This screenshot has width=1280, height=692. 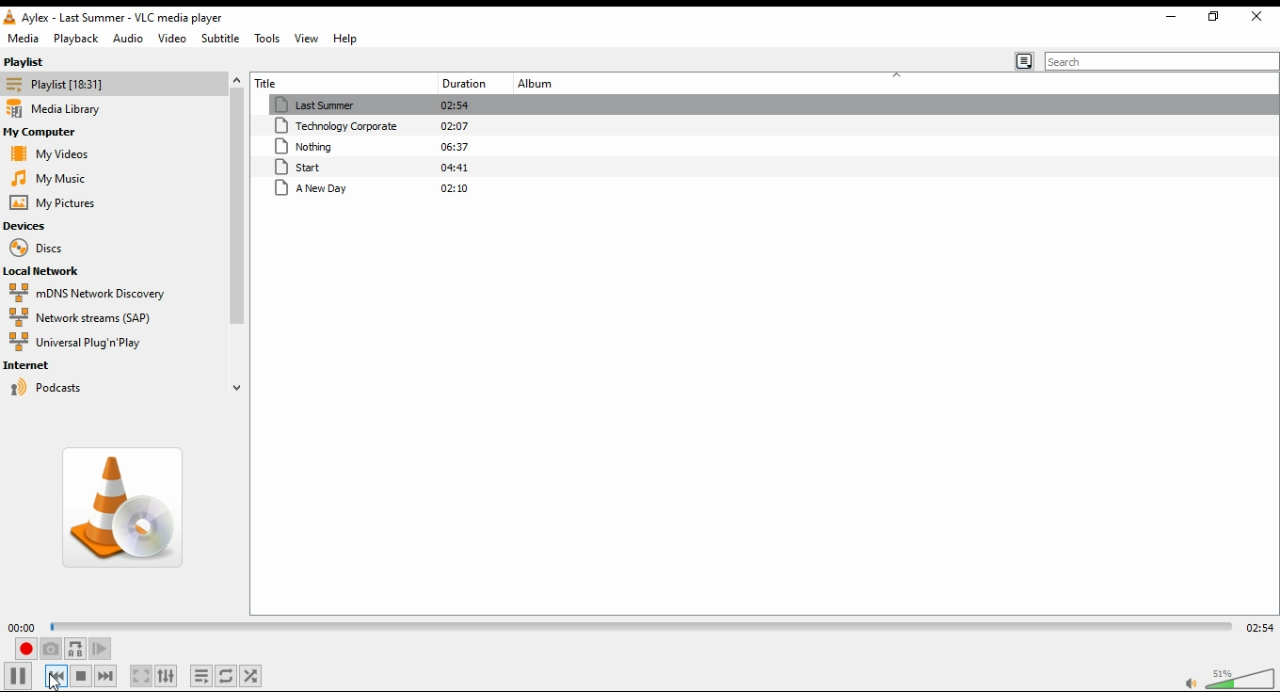 I want to click on video, so click(x=168, y=36).